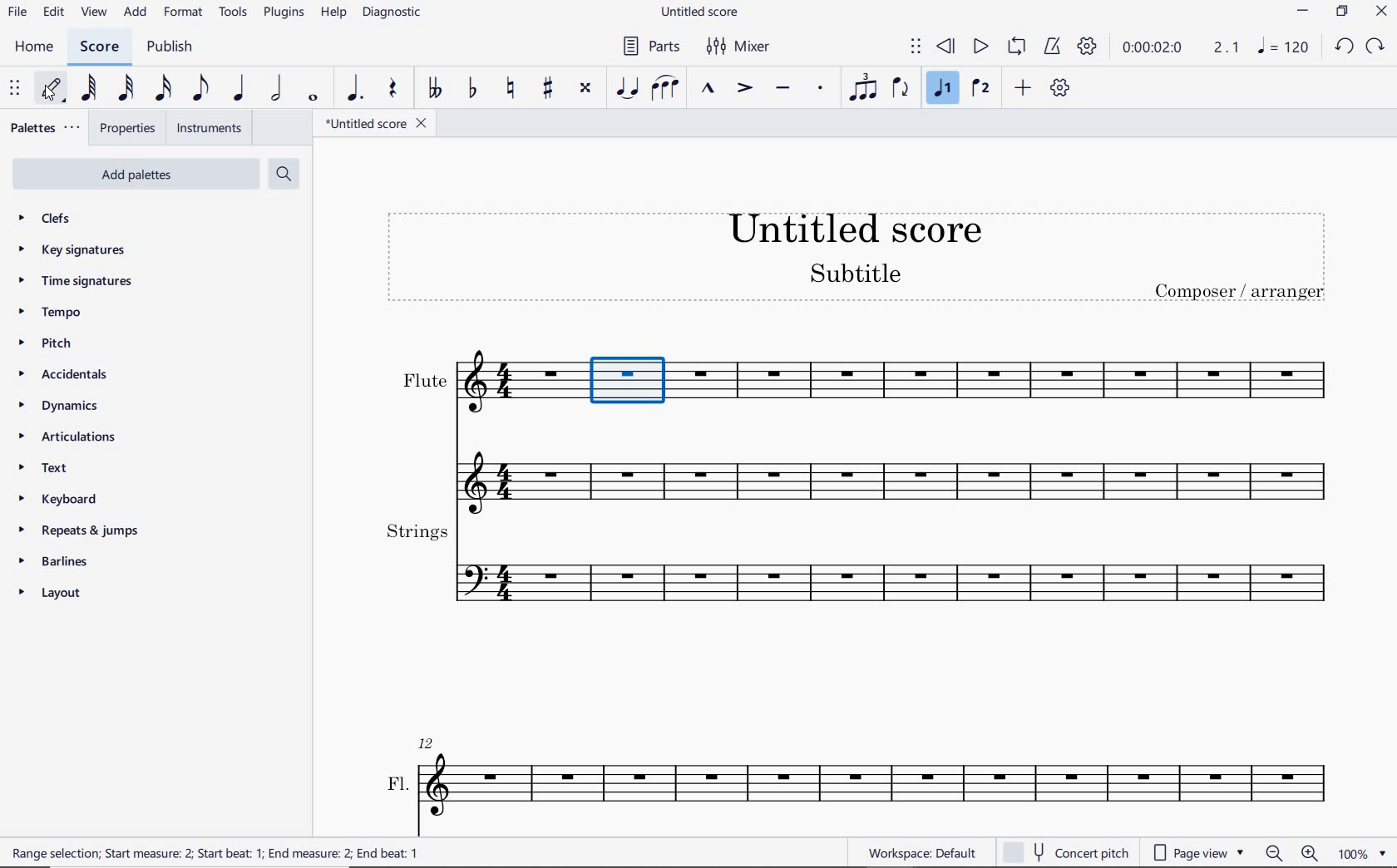  I want to click on pitch, so click(46, 343).